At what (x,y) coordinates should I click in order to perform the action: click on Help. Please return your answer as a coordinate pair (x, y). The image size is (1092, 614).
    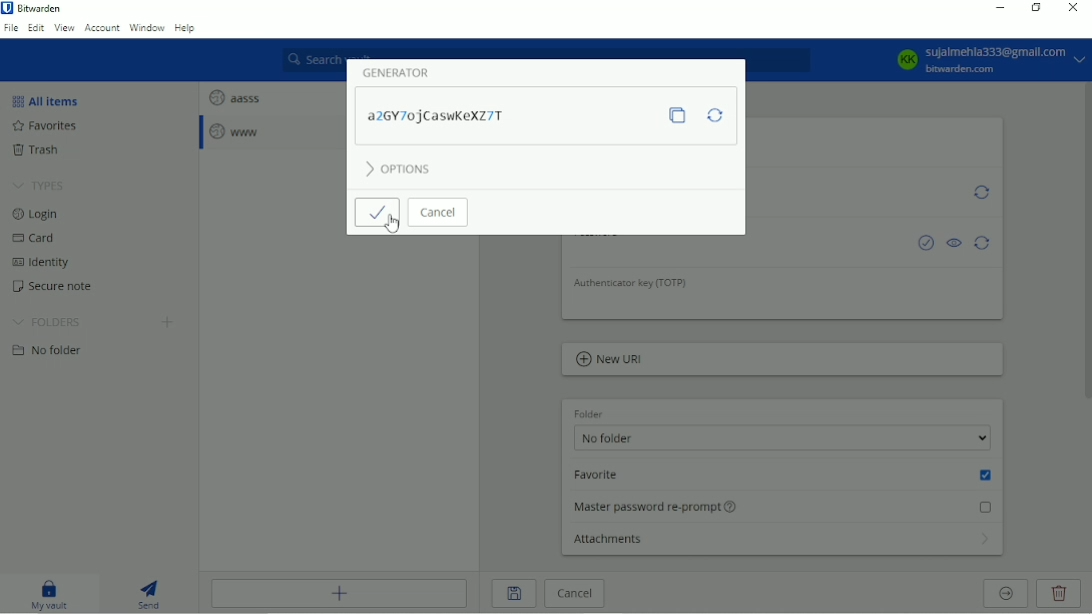
    Looking at the image, I should click on (187, 30).